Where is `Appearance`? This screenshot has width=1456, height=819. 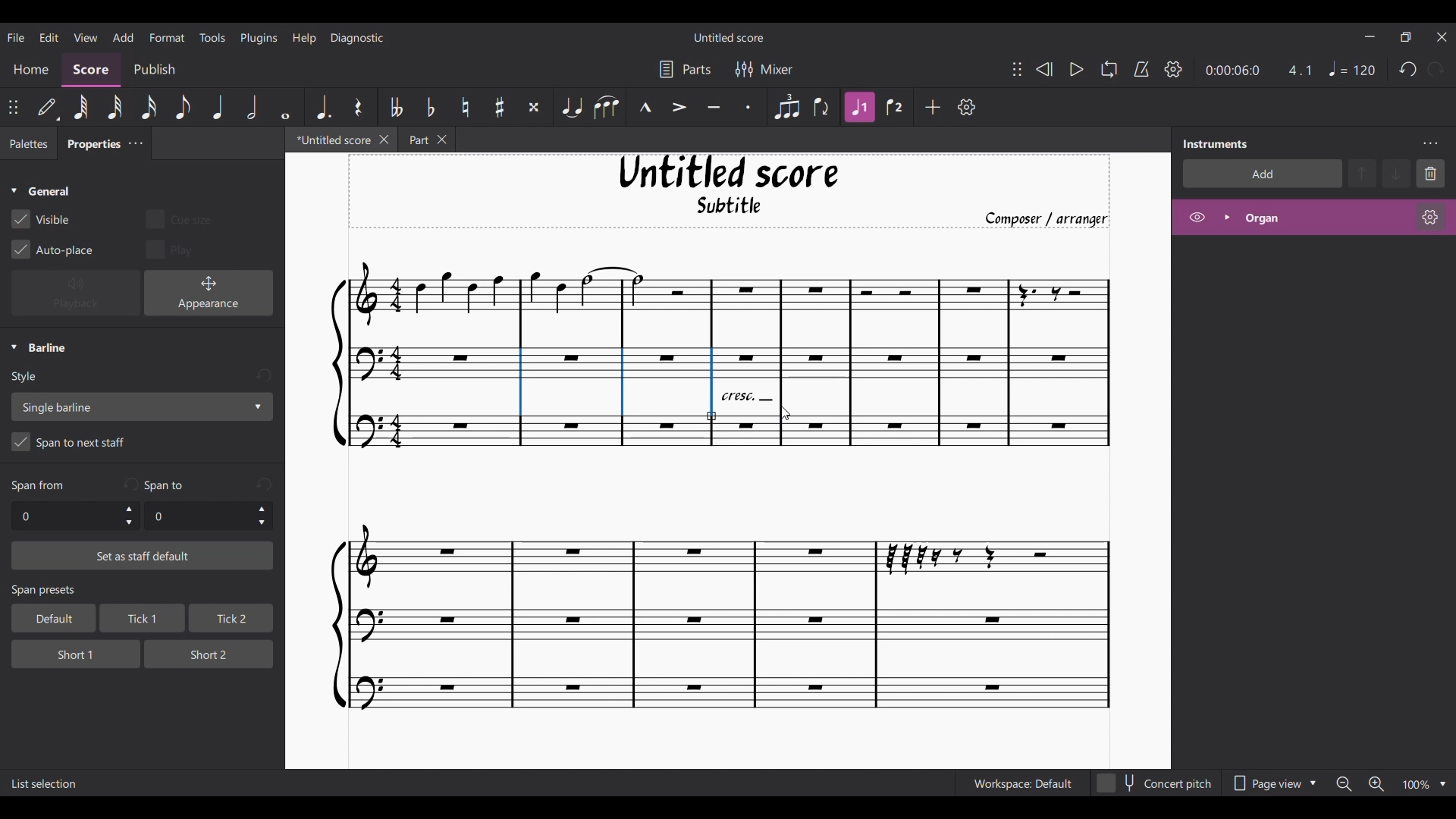 Appearance is located at coordinates (209, 293).